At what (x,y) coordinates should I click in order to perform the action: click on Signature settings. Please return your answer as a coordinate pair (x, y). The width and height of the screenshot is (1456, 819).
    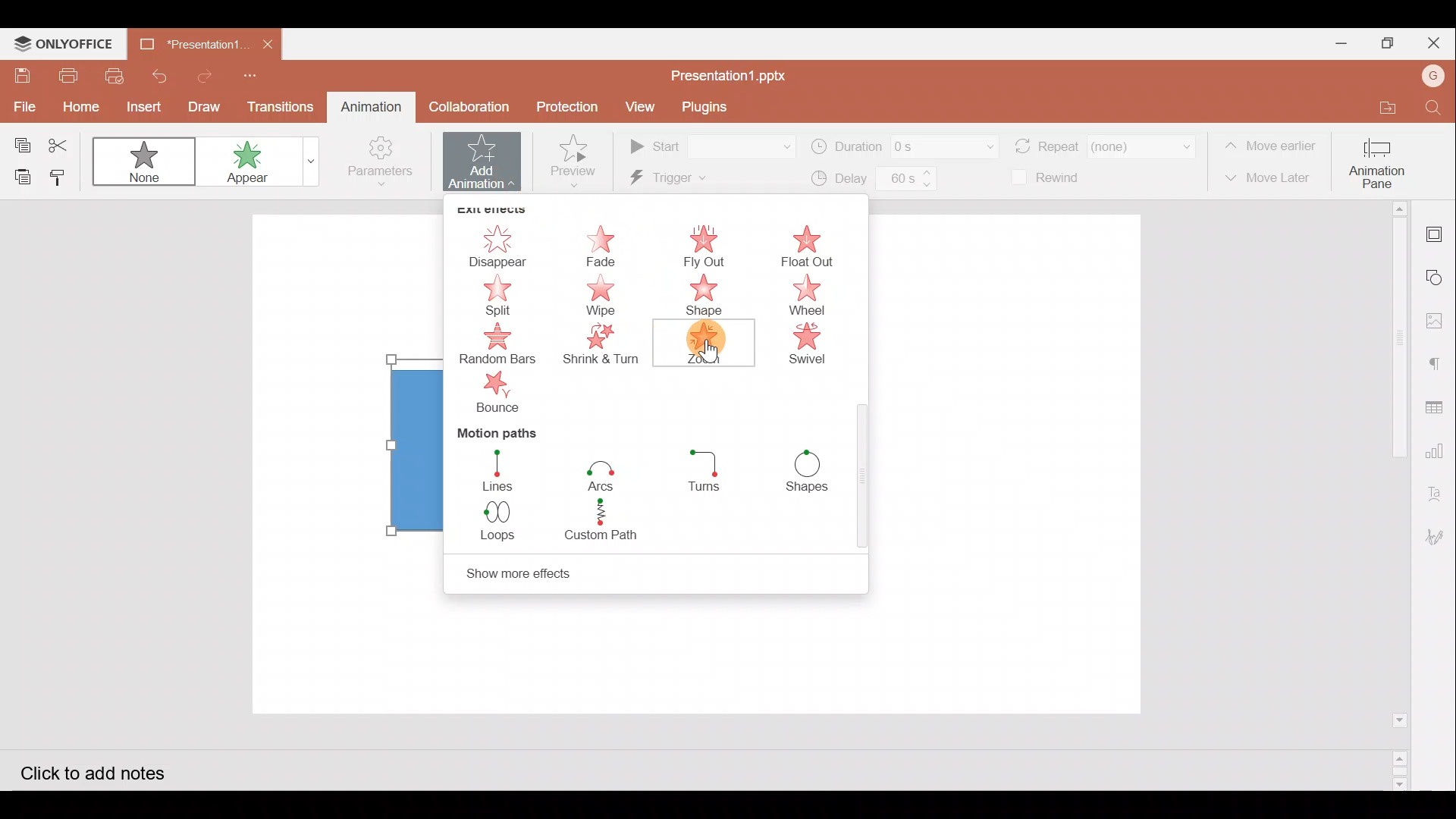
    Looking at the image, I should click on (1438, 535).